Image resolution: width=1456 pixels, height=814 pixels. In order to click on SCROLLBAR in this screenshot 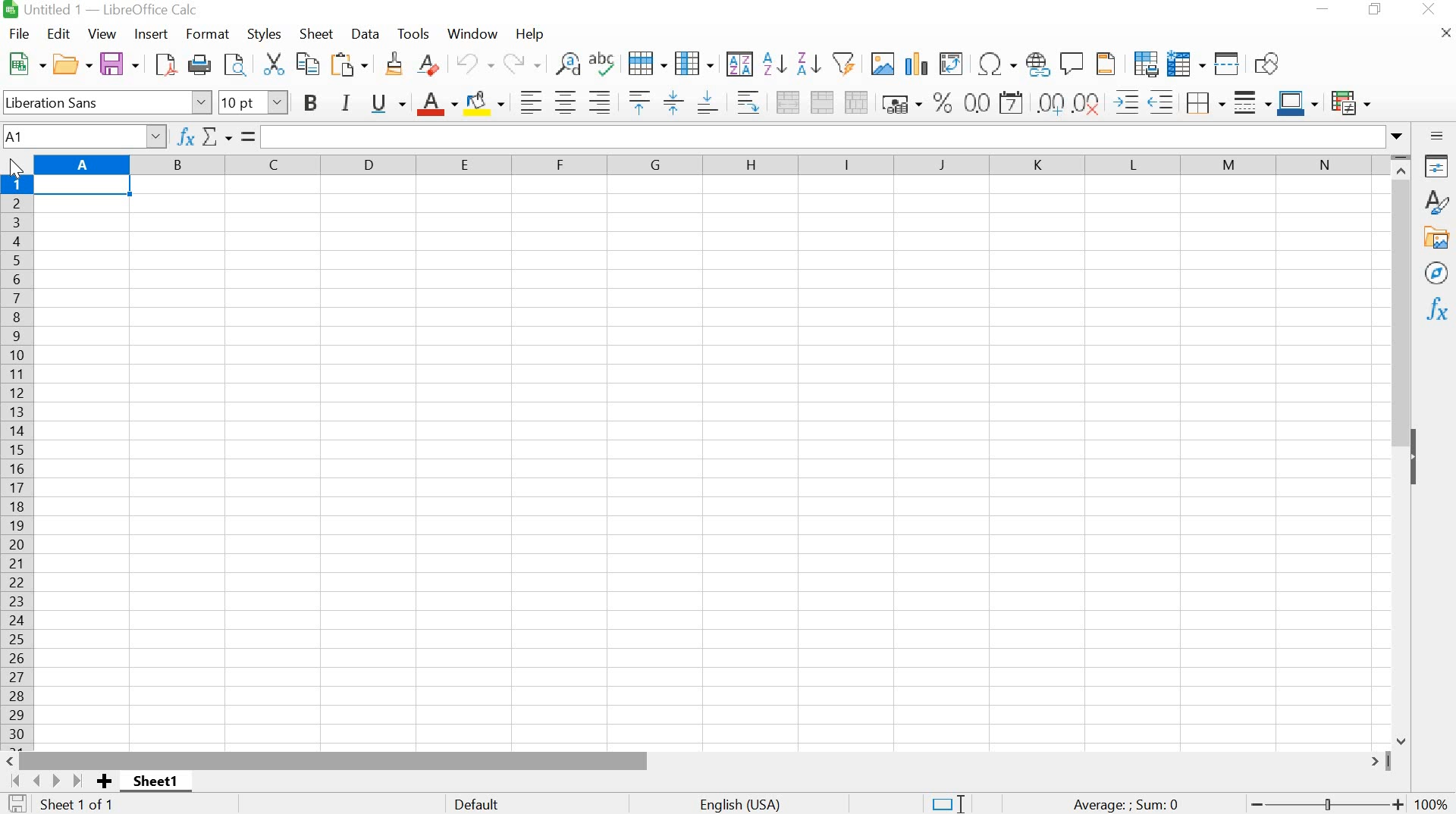, I will do `click(1402, 452)`.